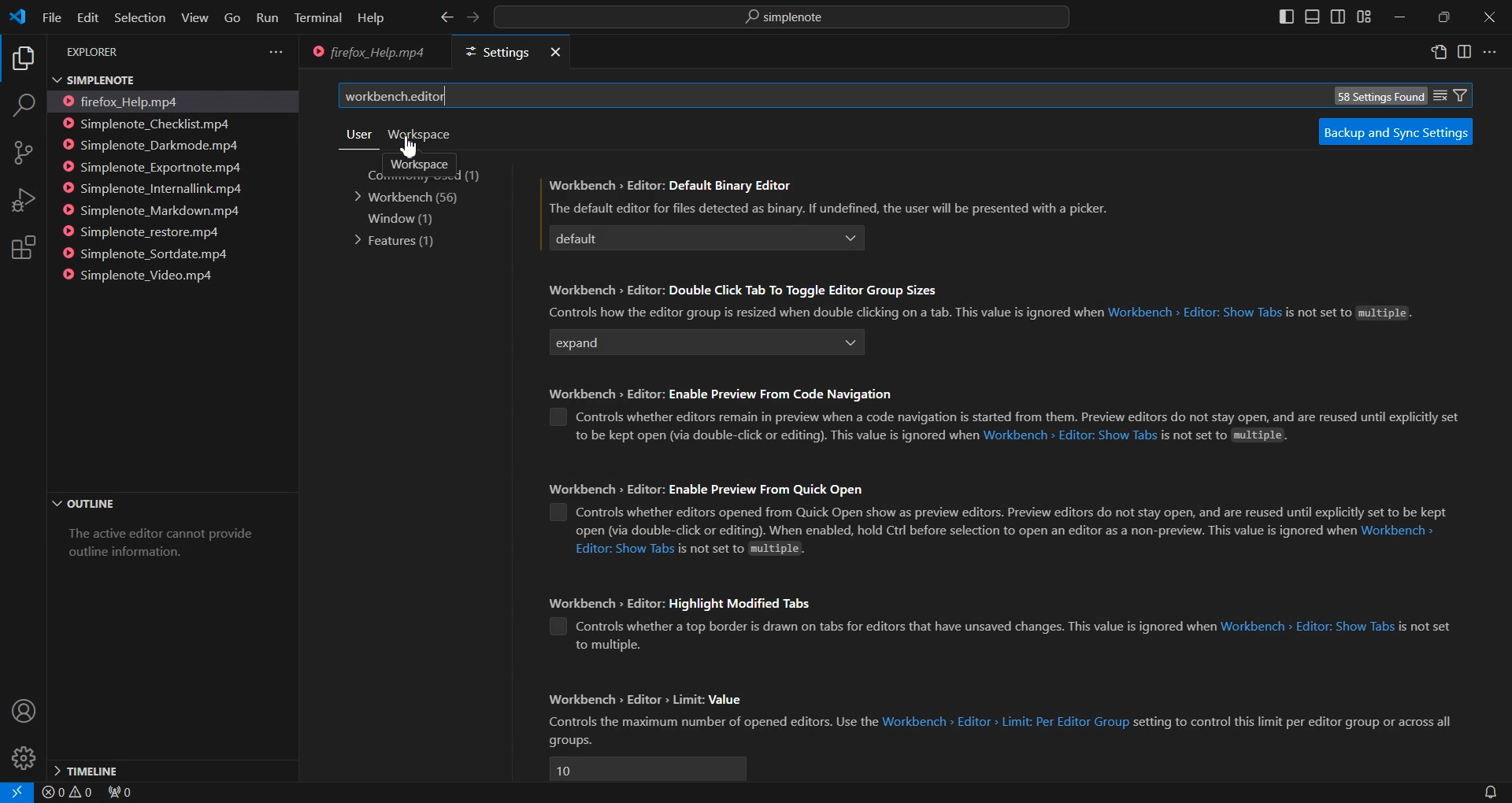 This screenshot has width=1512, height=803. I want to click on | Simplenote_restore.mp4, so click(146, 233).